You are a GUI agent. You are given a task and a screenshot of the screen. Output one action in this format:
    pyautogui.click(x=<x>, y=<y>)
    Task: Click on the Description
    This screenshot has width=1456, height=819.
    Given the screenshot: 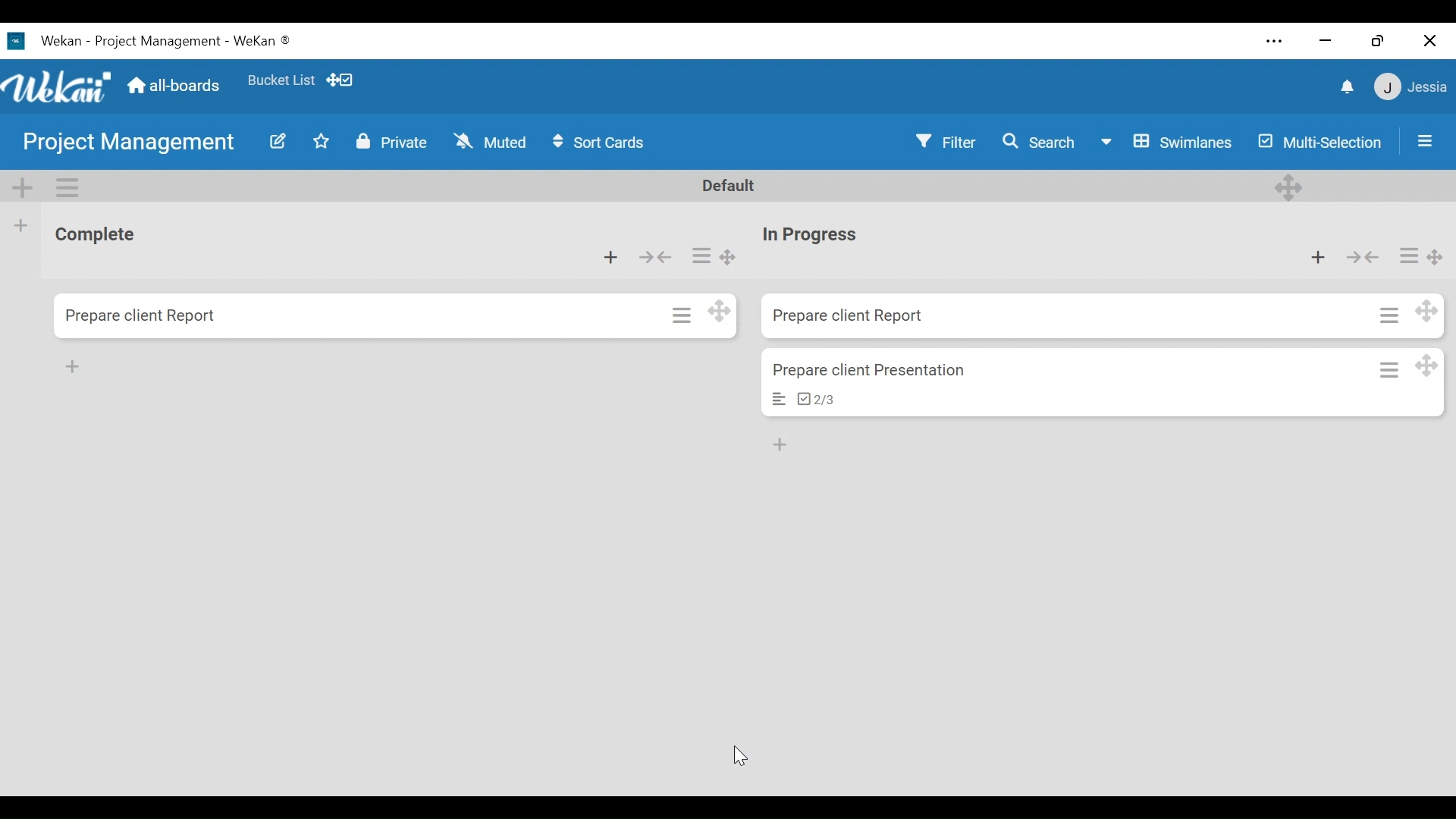 What is the action you would take?
    pyautogui.click(x=780, y=400)
    